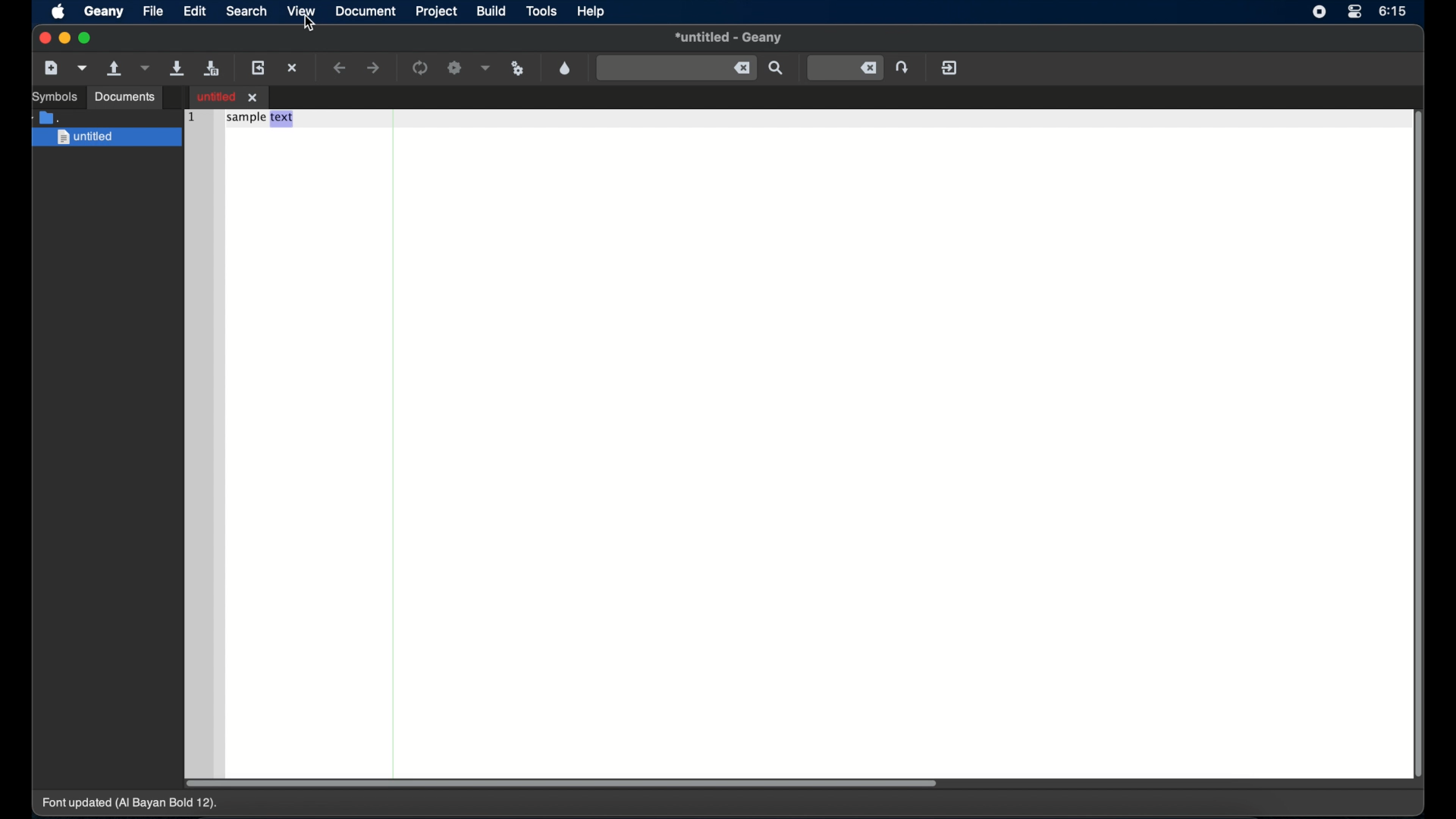 The height and width of the screenshot is (819, 1456). I want to click on edit, so click(196, 11).